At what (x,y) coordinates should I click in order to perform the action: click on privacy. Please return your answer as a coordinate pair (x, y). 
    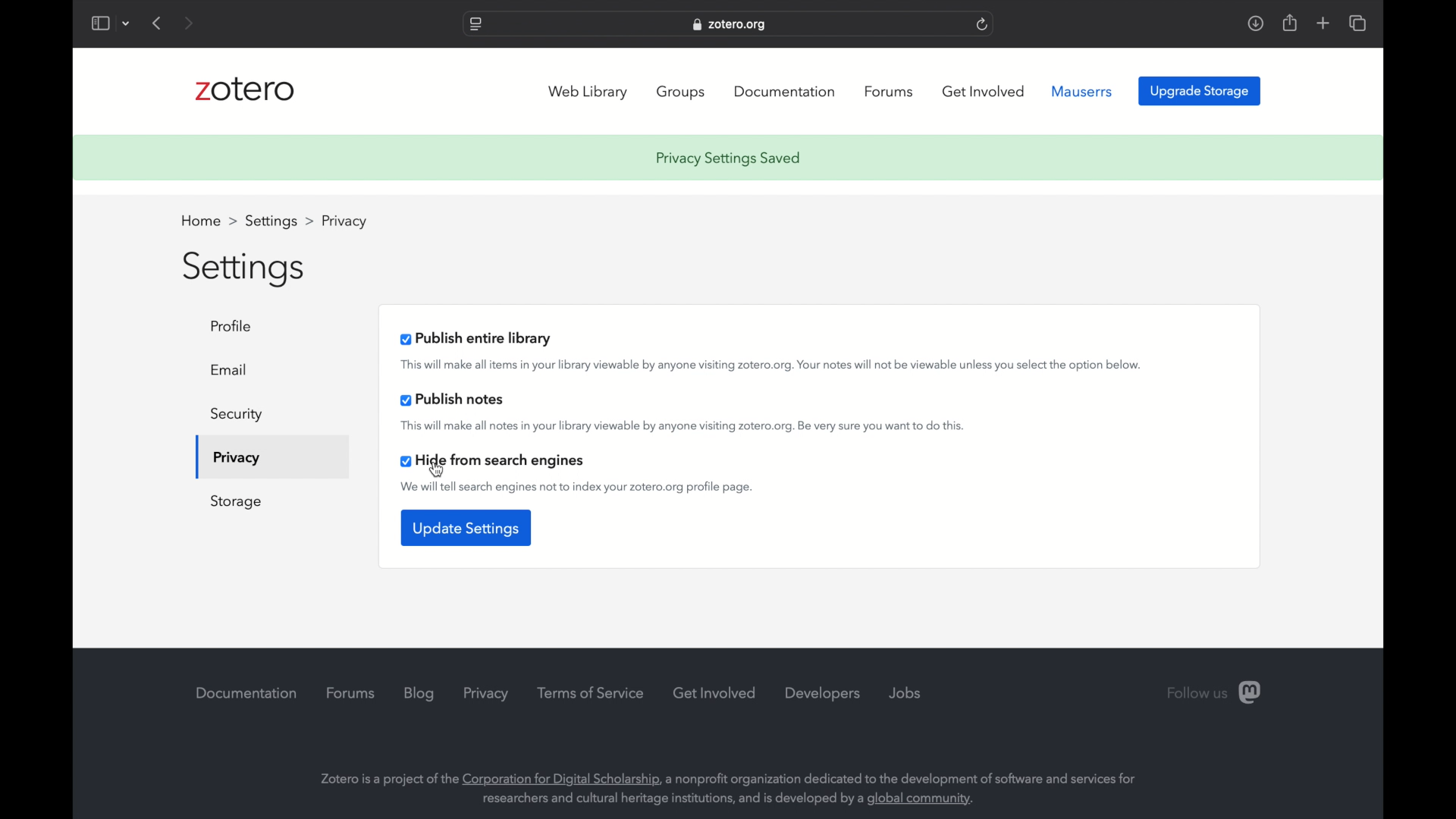
    Looking at the image, I should click on (488, 695).